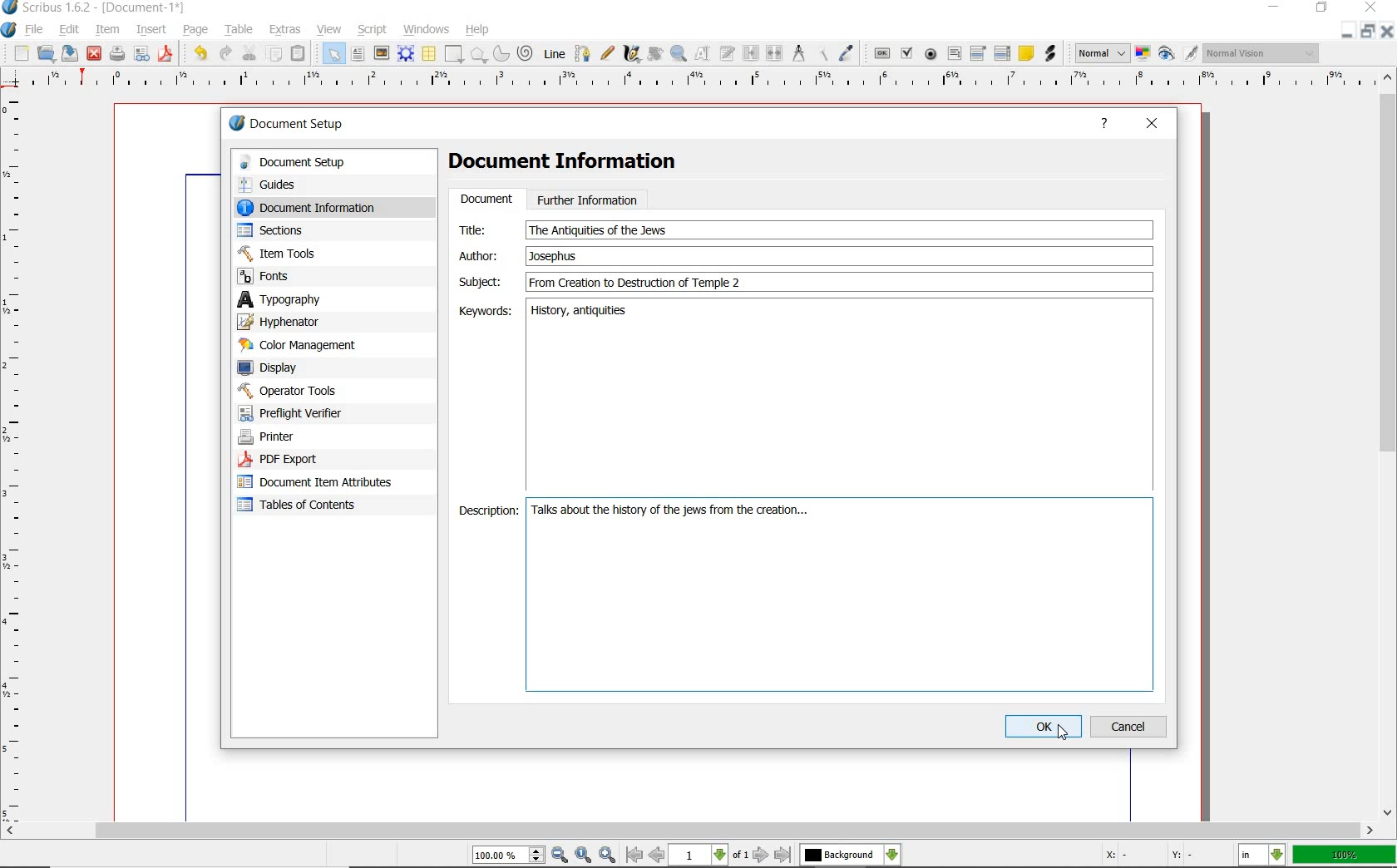  What do you see at coordinates (1131, 726) in the screenshot?
I see `cancel` at bounding box center [1131, 726].